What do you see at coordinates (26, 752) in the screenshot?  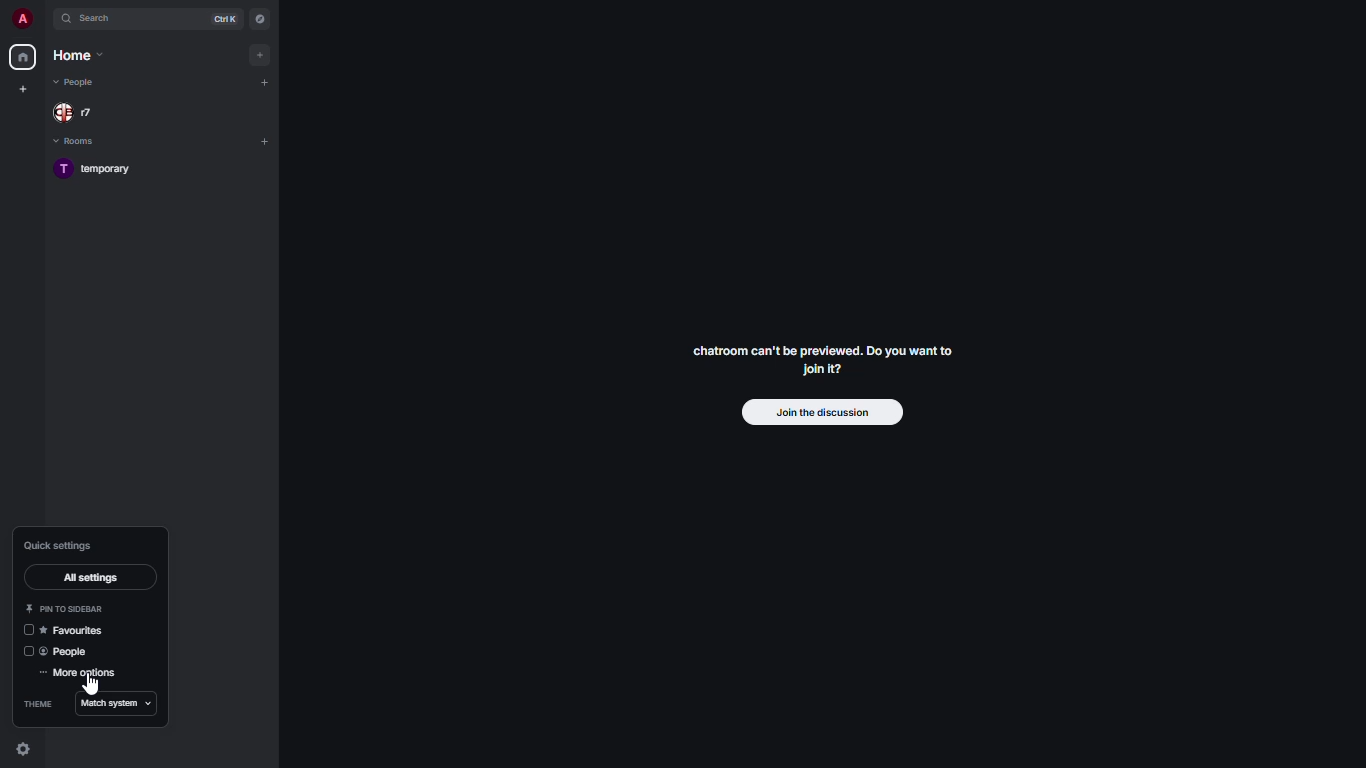 I see `cursor` at bounding box center [26, 752].